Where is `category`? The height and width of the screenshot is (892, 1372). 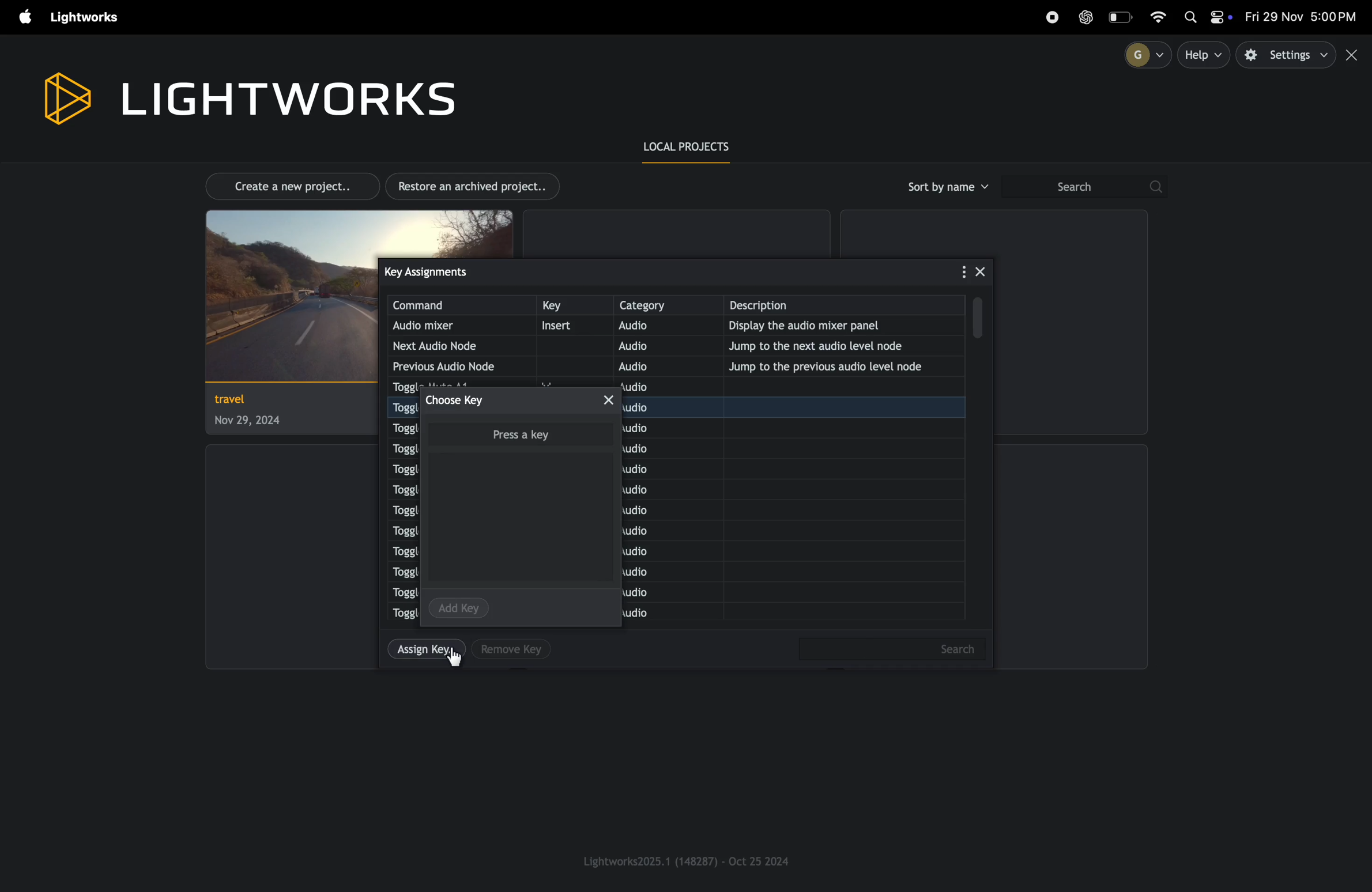
category is located at coordinates (666, 305).